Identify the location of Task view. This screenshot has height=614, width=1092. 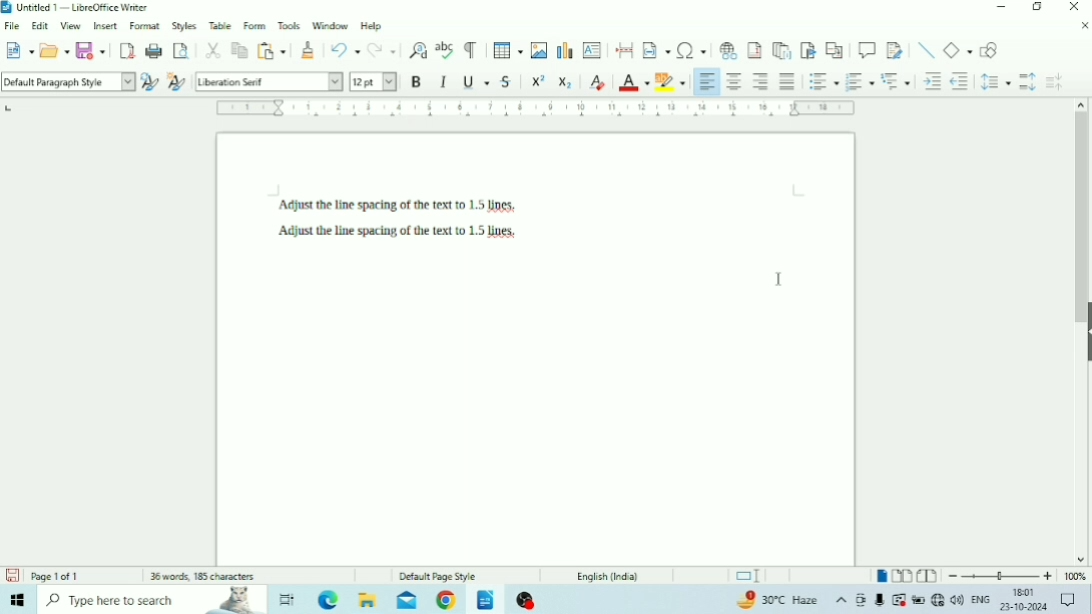
(287, 599).